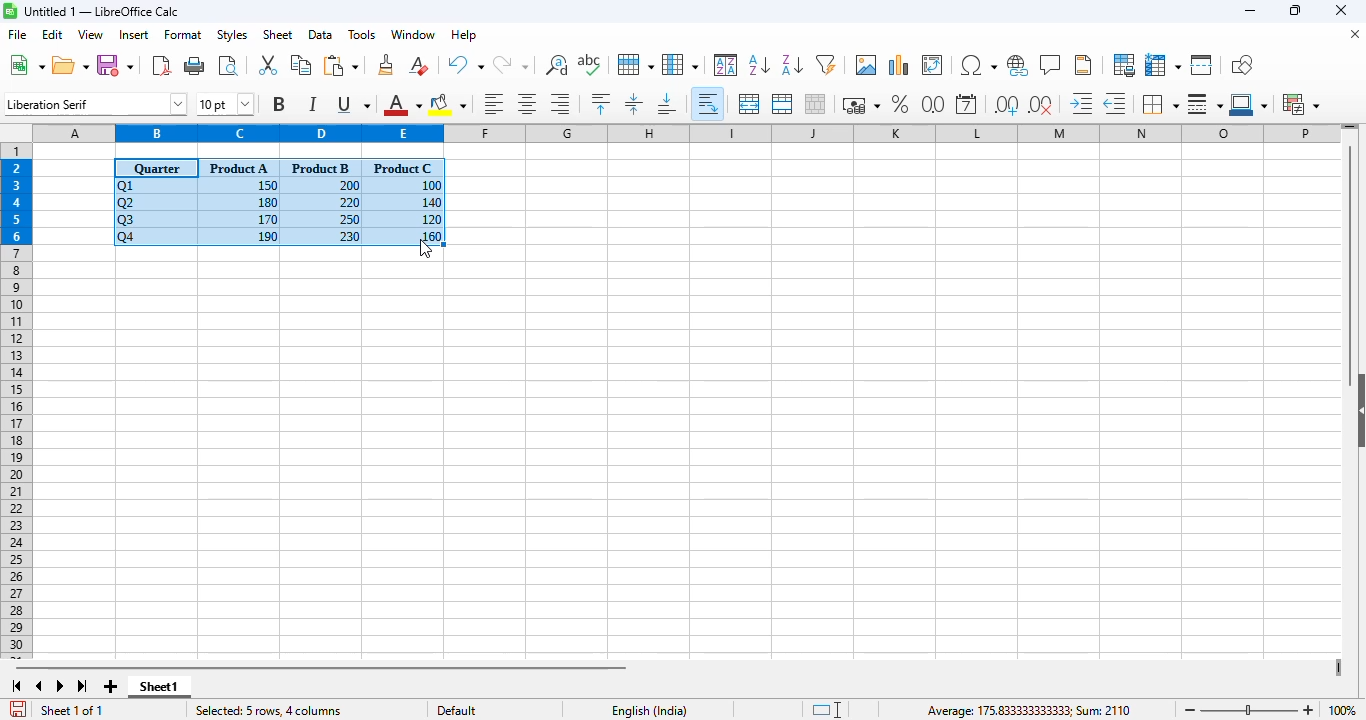 This screenshot has width=1366, height=720. I want to click on merge cells, so click(782, 103).